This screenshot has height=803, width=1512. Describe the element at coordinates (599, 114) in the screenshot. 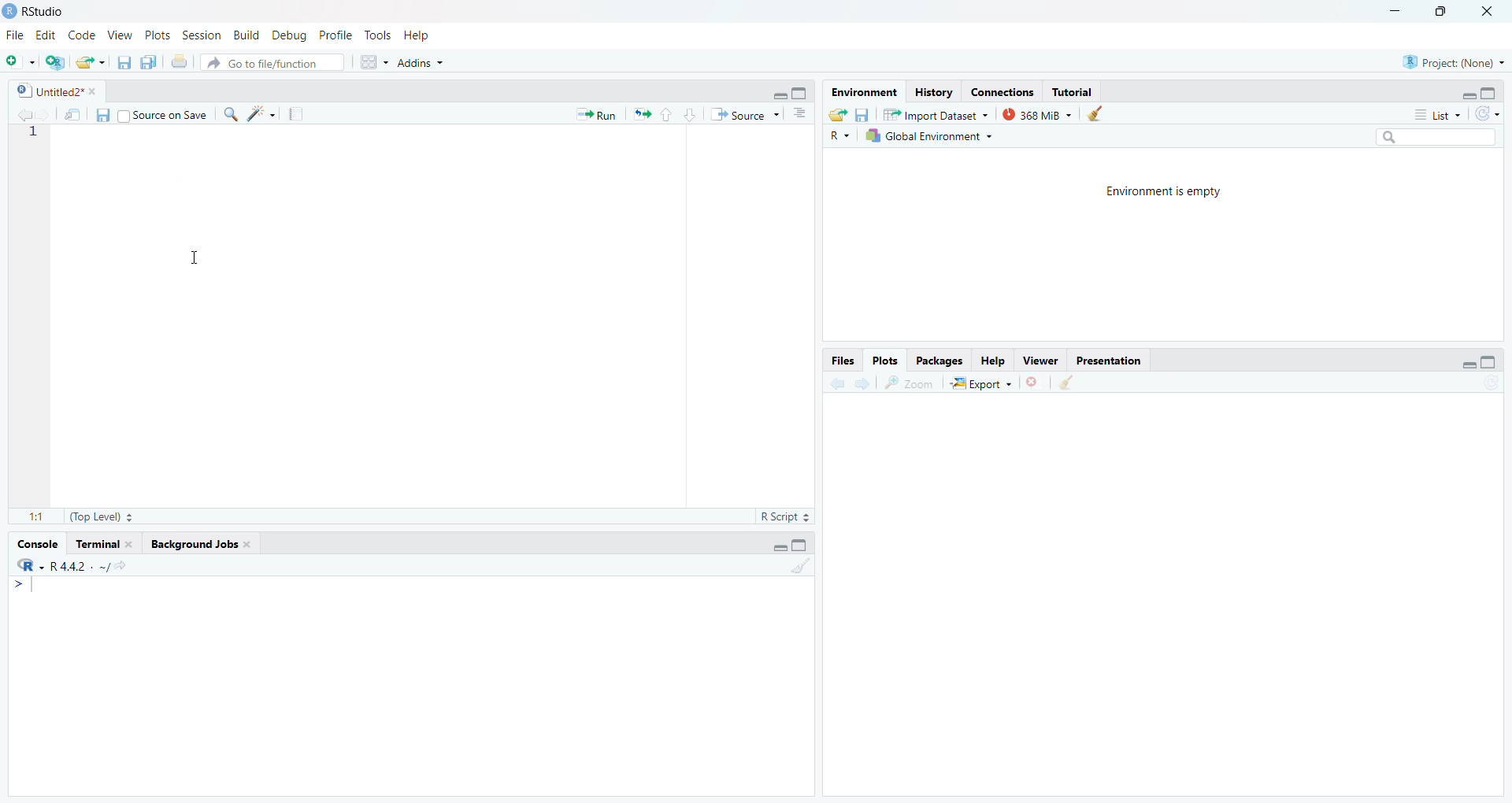

I see `* Run` at that location.